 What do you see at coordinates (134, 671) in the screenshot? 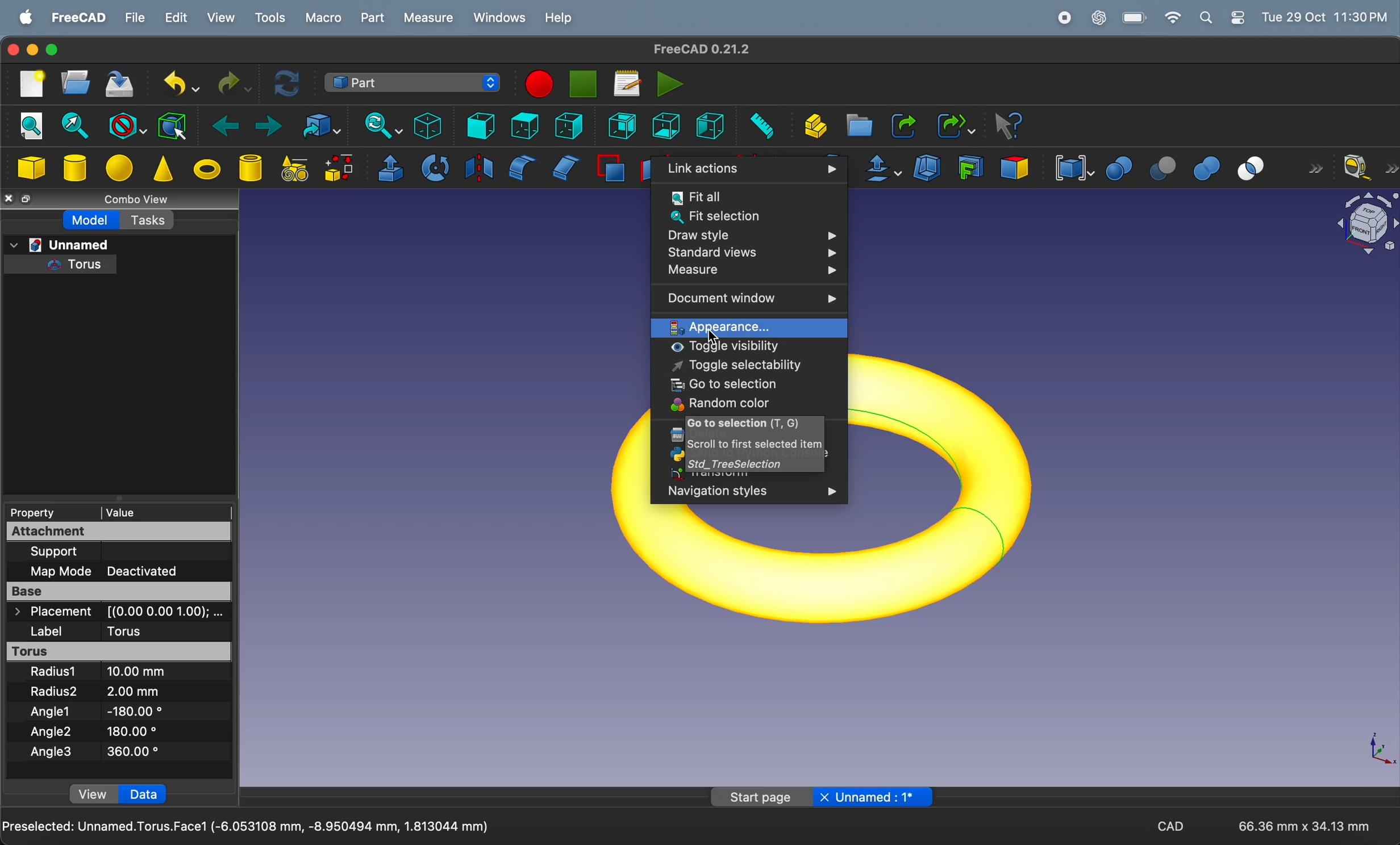
I see `10.00 mm` at bounding box center [134, 671].